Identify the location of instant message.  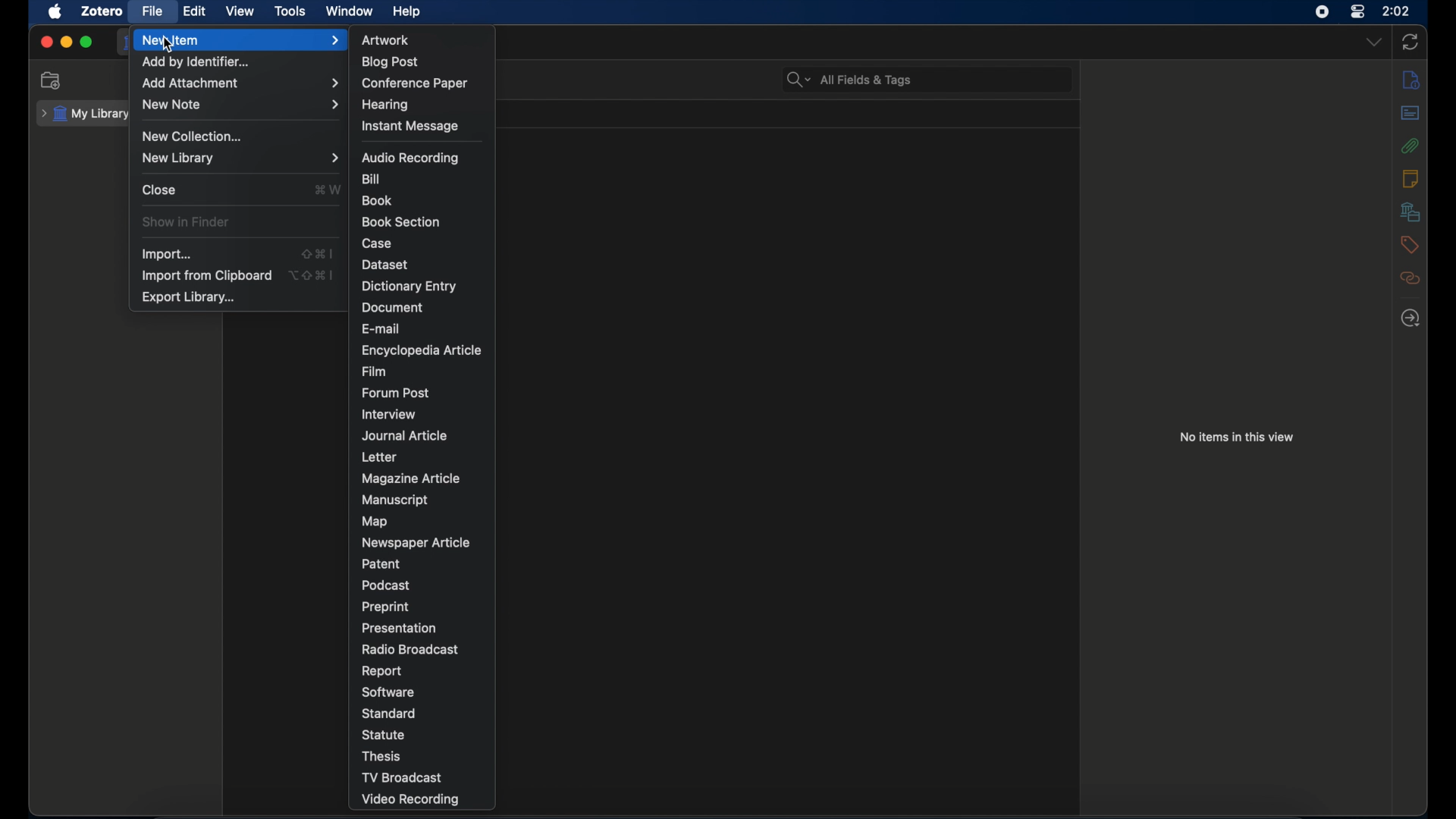
(409, 127).